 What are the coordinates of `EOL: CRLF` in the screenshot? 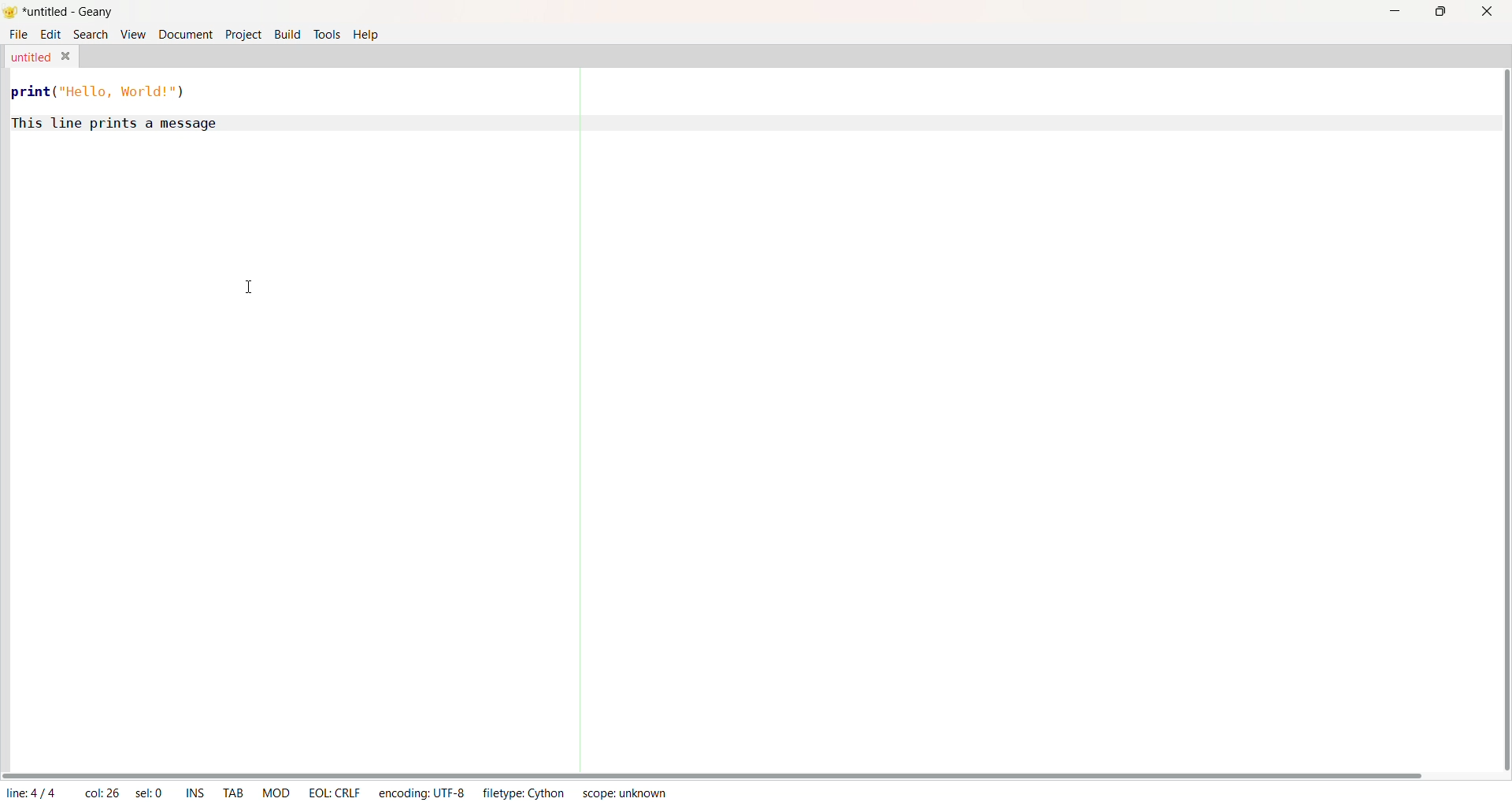 It's located at (333, 792).